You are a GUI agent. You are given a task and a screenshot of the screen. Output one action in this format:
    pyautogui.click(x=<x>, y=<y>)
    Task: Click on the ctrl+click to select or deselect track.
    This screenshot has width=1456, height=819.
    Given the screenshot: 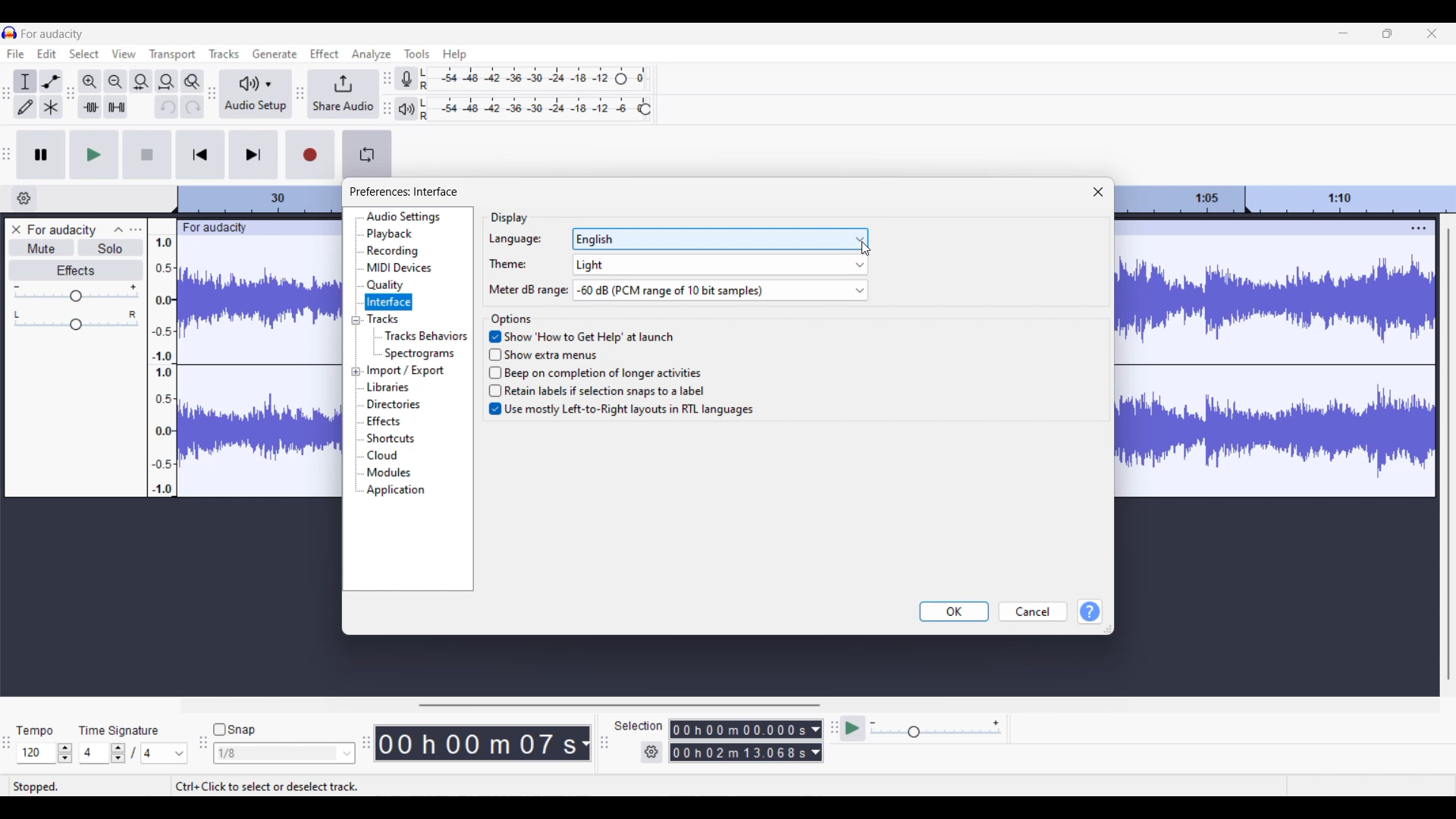 What is the action you would take?
    pyautogui.click(x=271, y=785)
    